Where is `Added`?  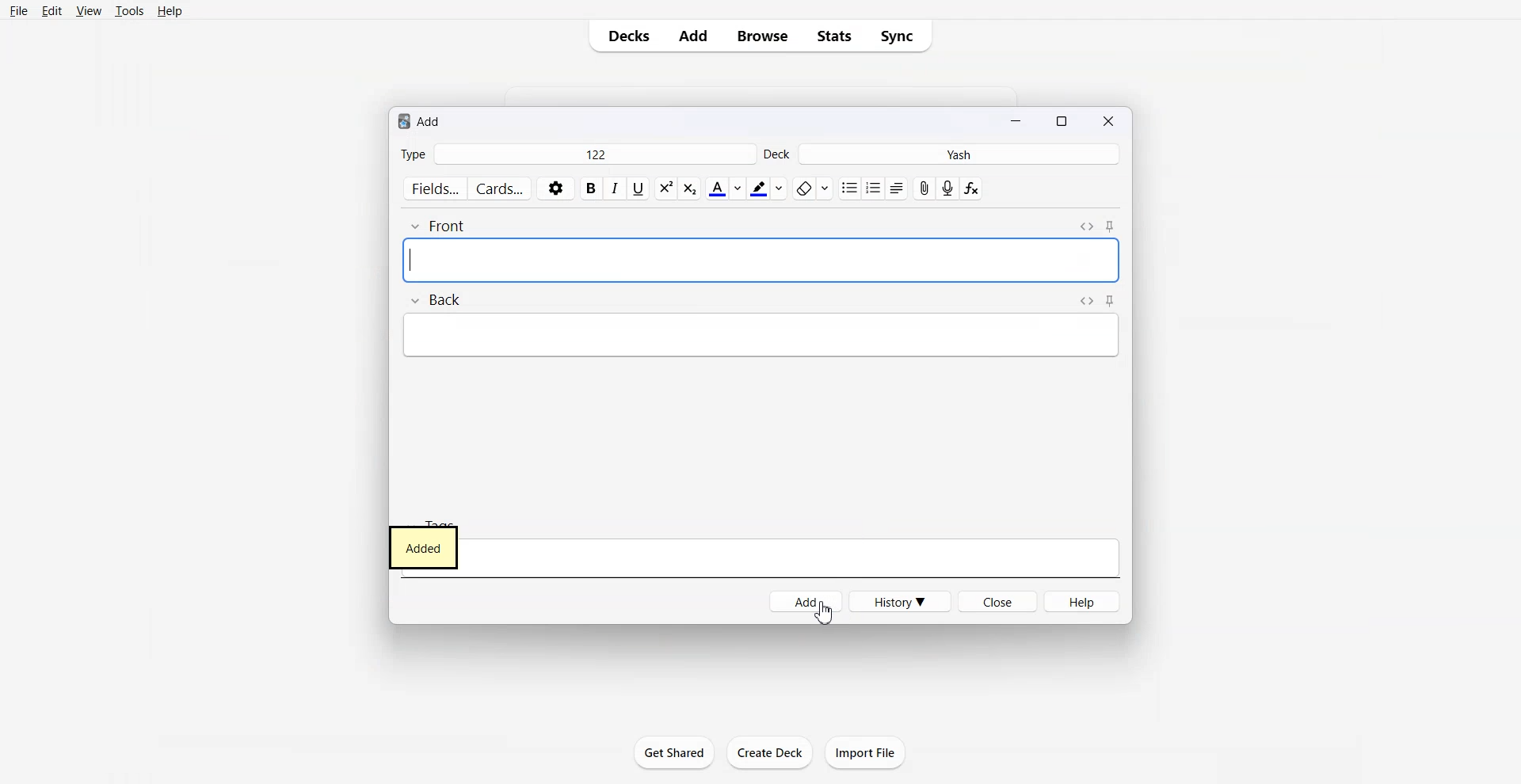
Added is located at coordinates (424, 546).